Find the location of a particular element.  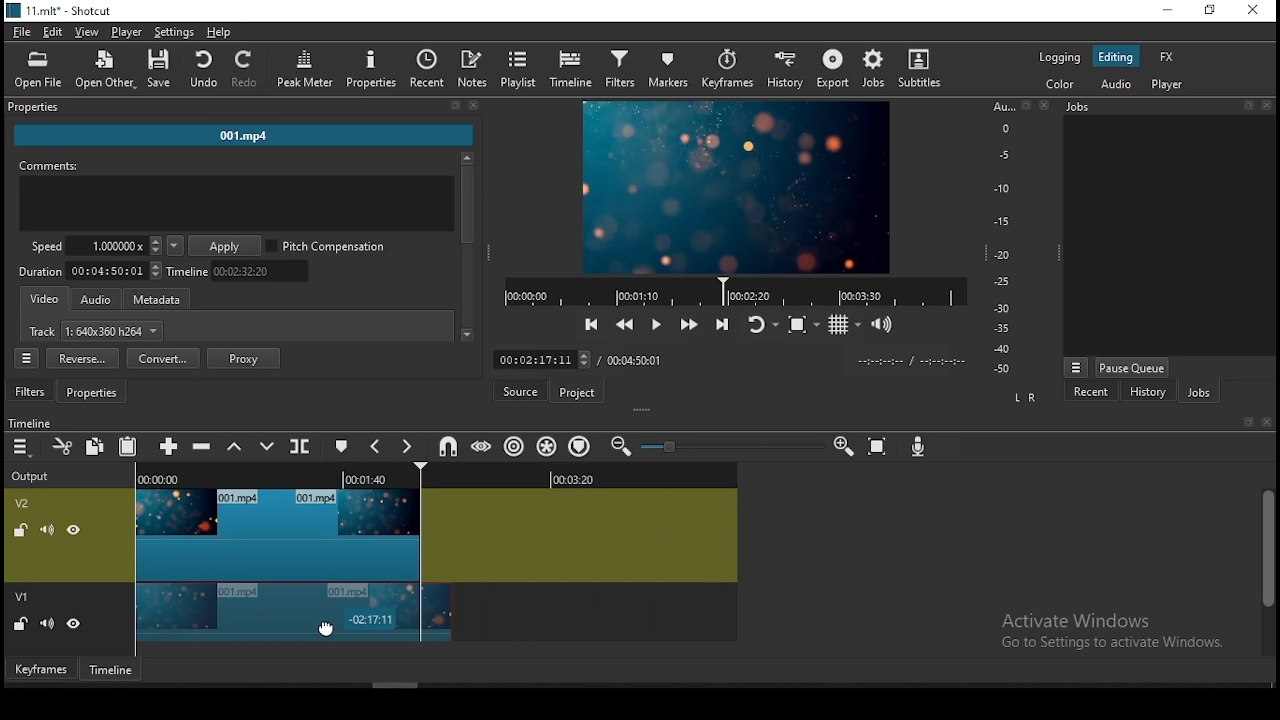

apply is located at coordinates (227, 247).